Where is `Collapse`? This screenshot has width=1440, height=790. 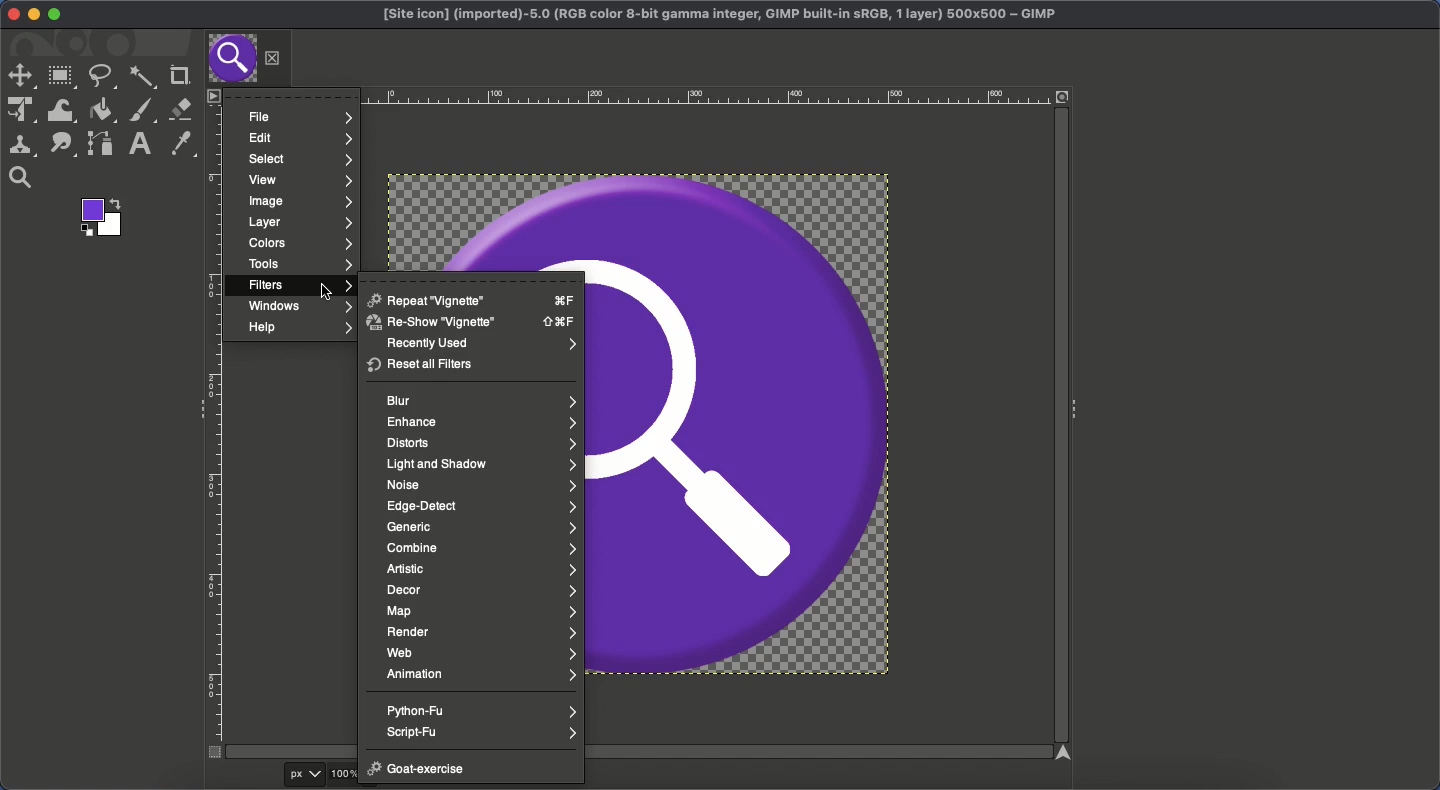 Collapse is located at coordinates (1077, 406).